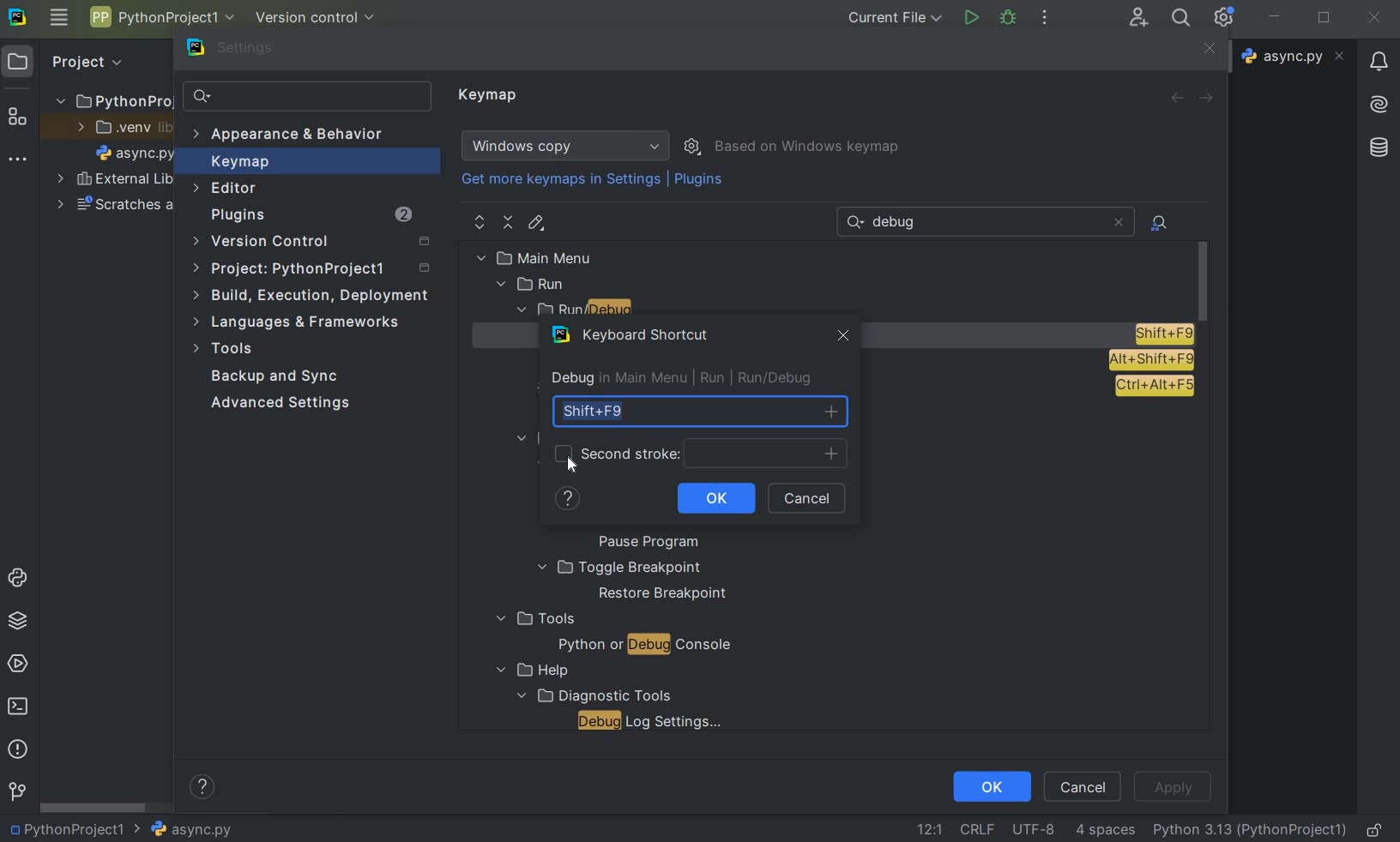 The image size is (1400, 842). What do you see at coordinates (21, 579) in the screenshot?
I see `python console` at bounding box center [21, 579].